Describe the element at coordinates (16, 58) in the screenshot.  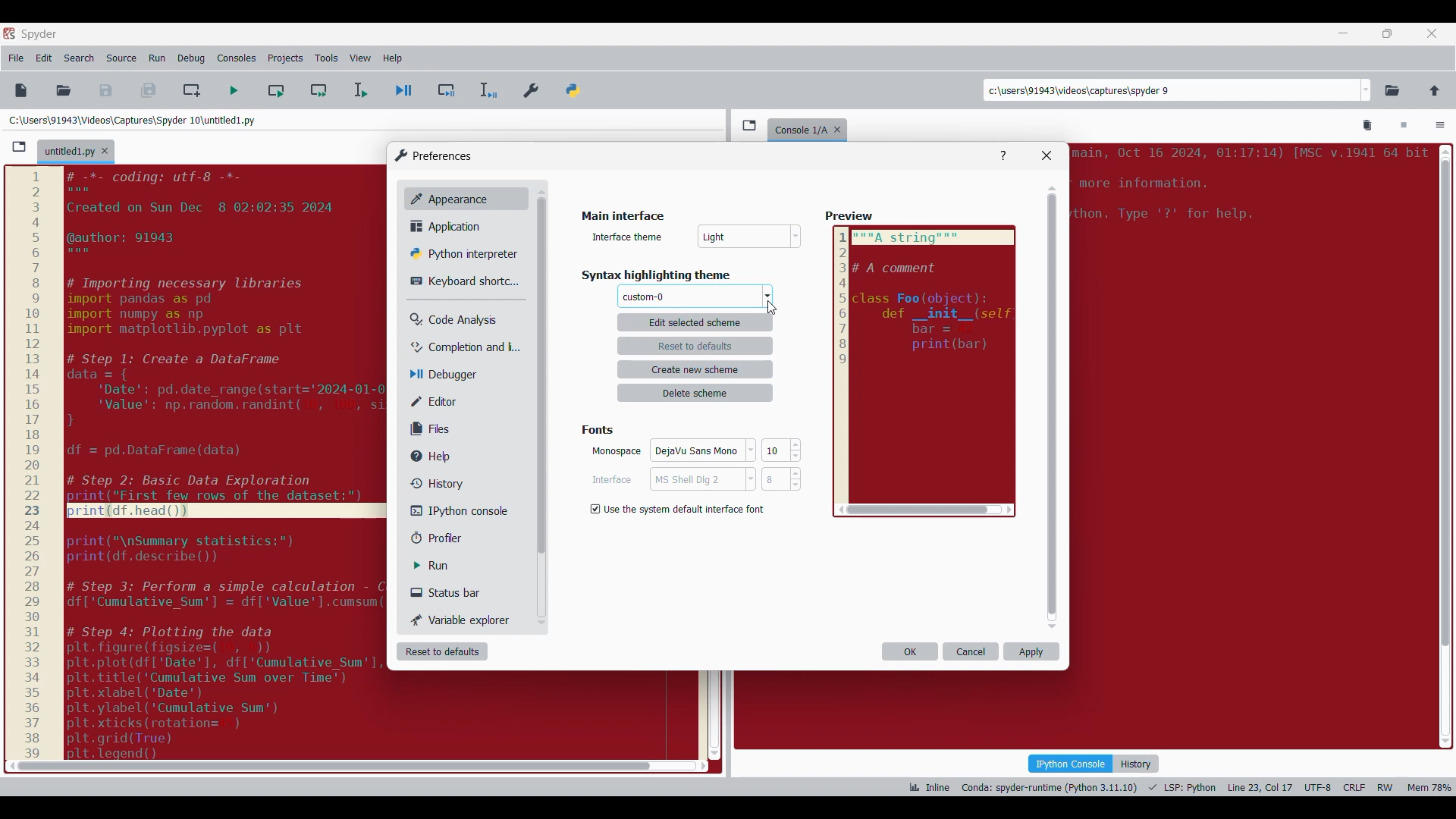
I see `File menu ` at that location.